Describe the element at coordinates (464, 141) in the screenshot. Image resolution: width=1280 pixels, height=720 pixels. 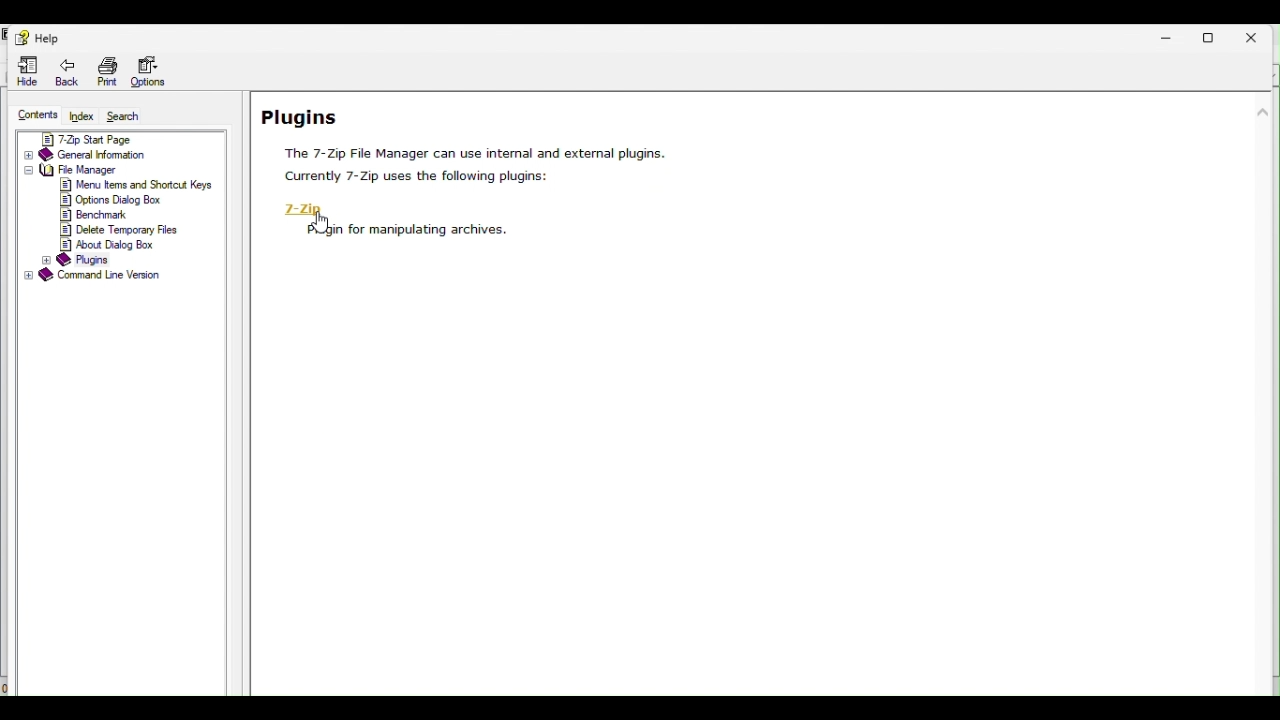
I see `plugins` at that location.